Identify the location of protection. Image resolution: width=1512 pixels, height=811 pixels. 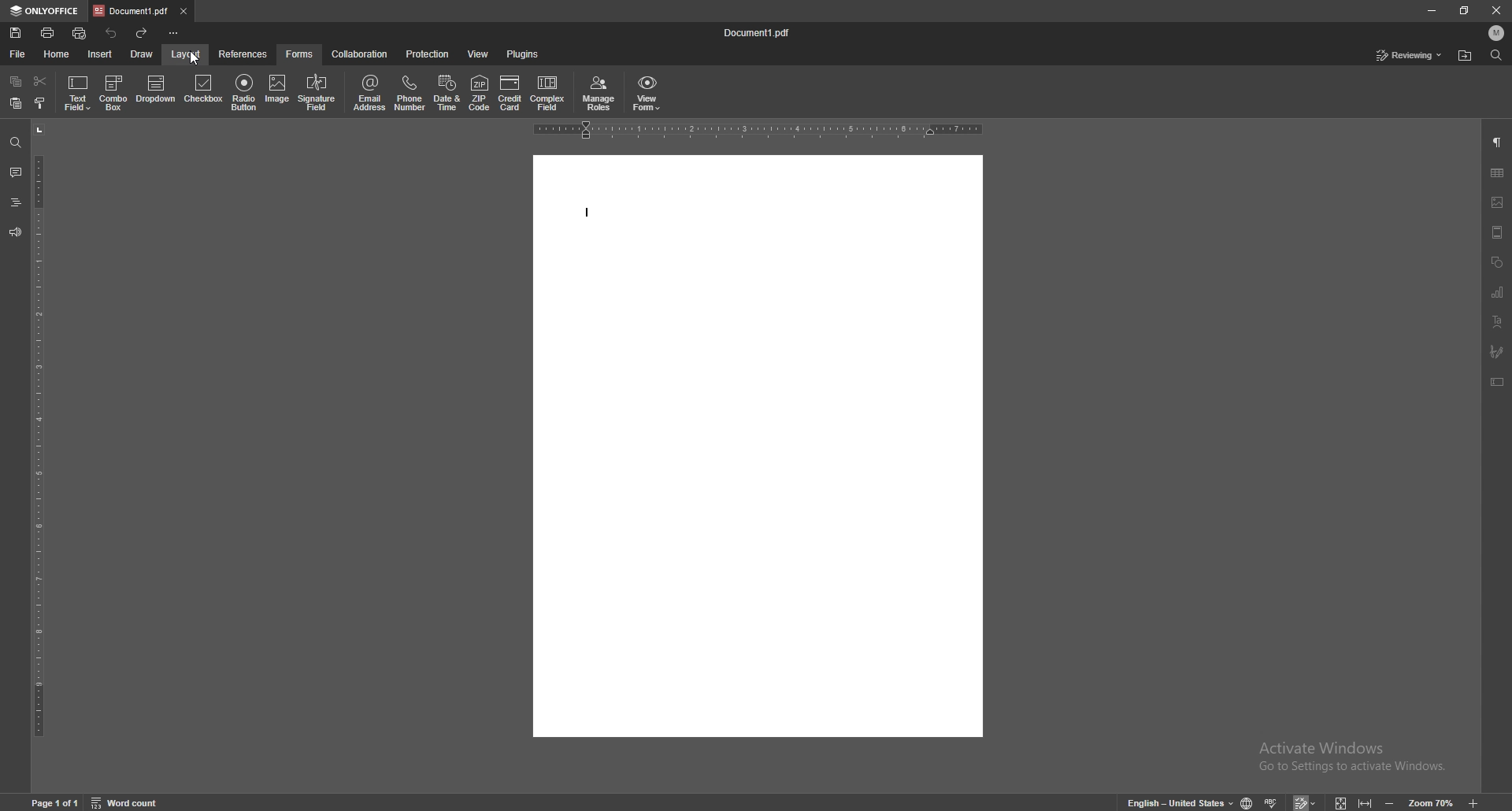
(428, 54).